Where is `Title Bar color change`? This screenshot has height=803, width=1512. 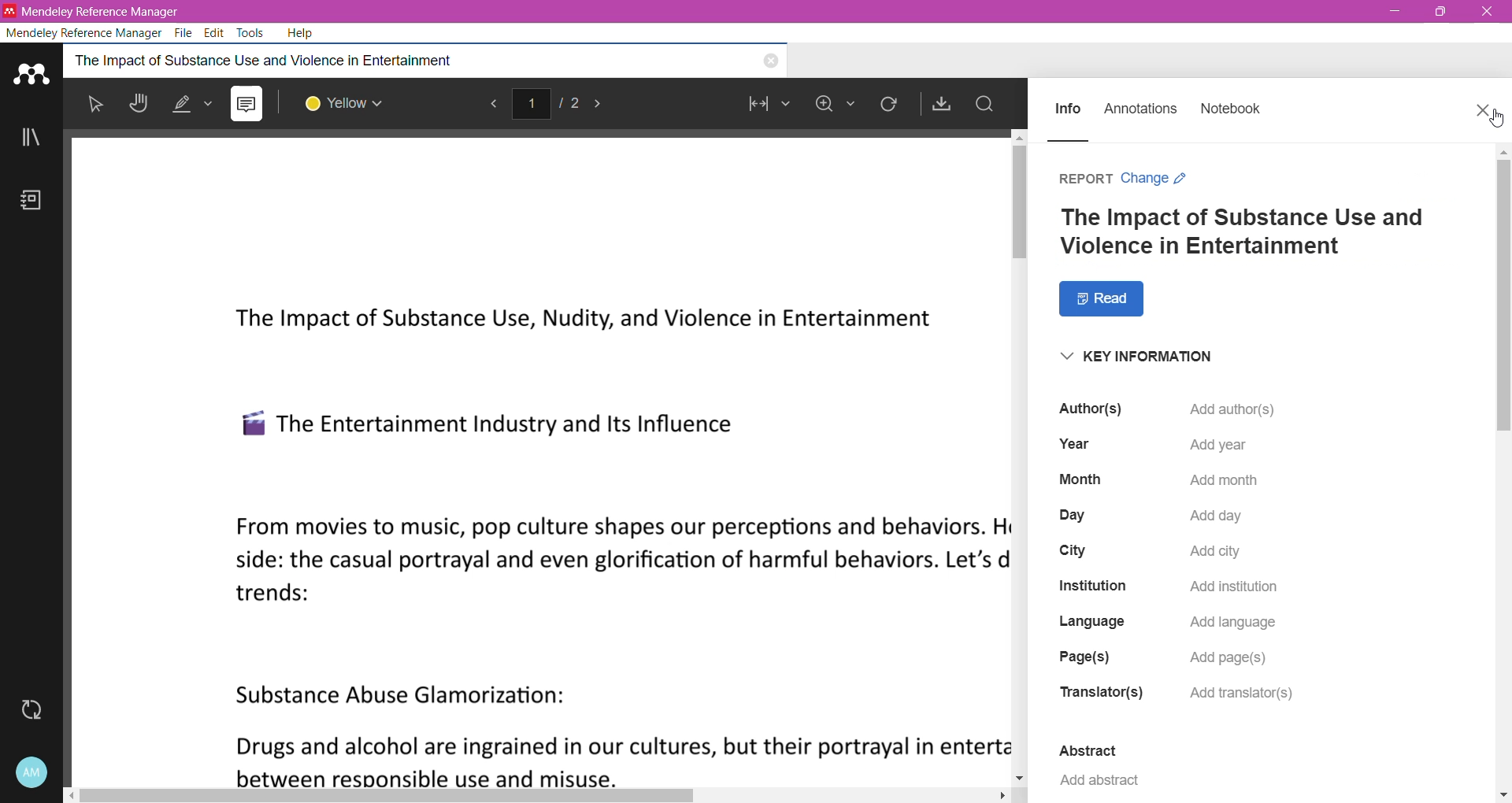 Title Bar color change is located at coordinates (843, 12).